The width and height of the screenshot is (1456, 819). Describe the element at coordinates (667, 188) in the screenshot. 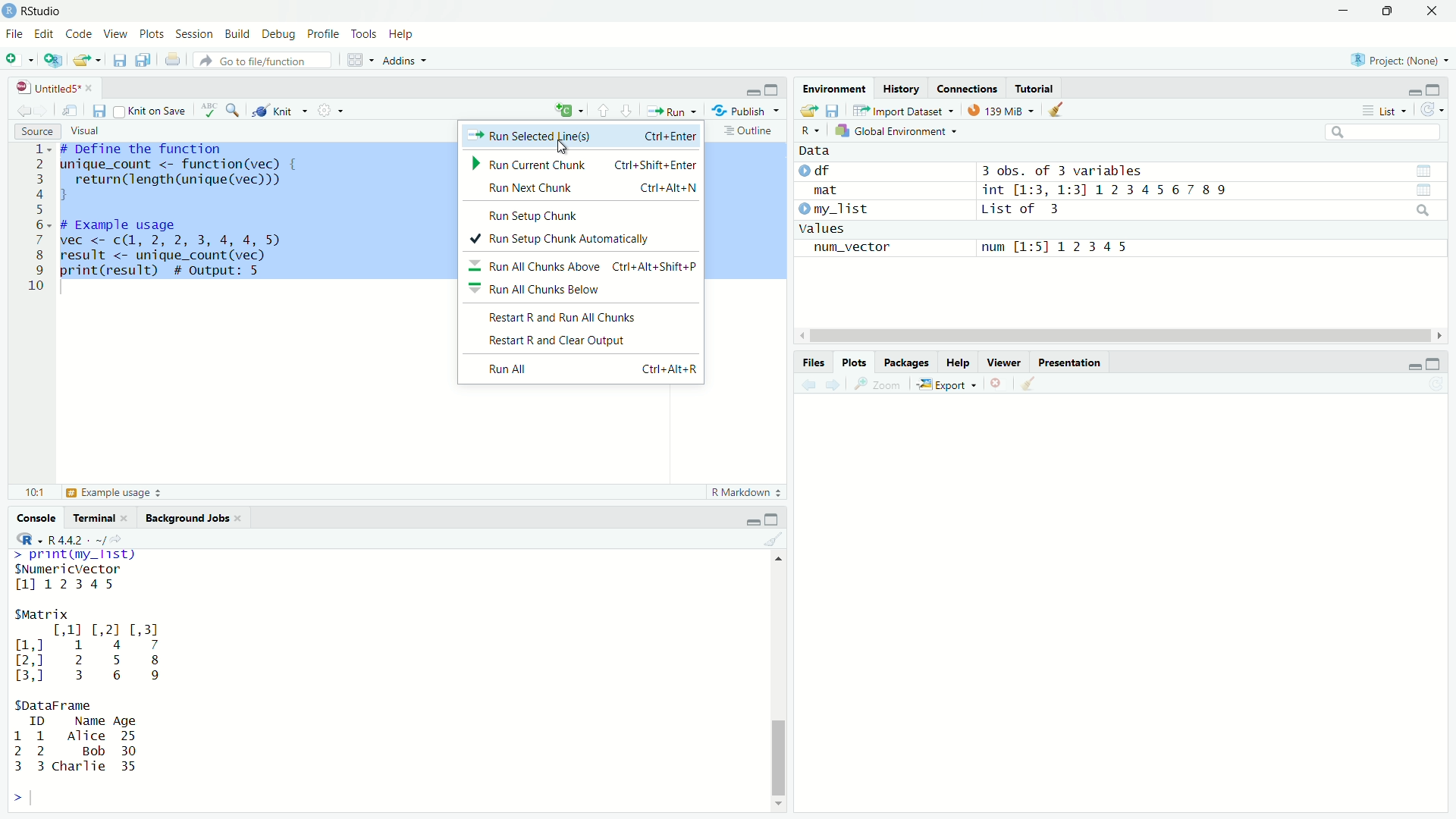

I see `Ctrl+Alt+N` at that location.